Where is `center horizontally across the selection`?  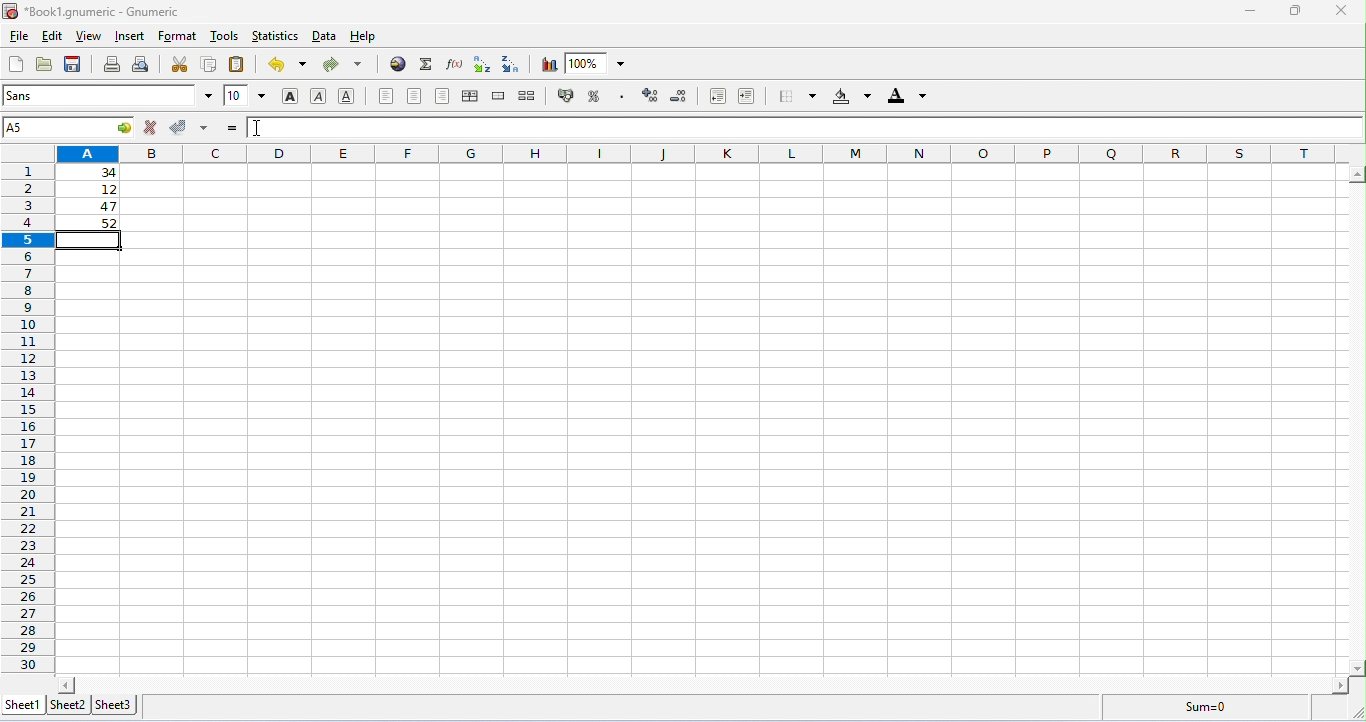
center horizontally across the selection is located at coordinates (470, 96).